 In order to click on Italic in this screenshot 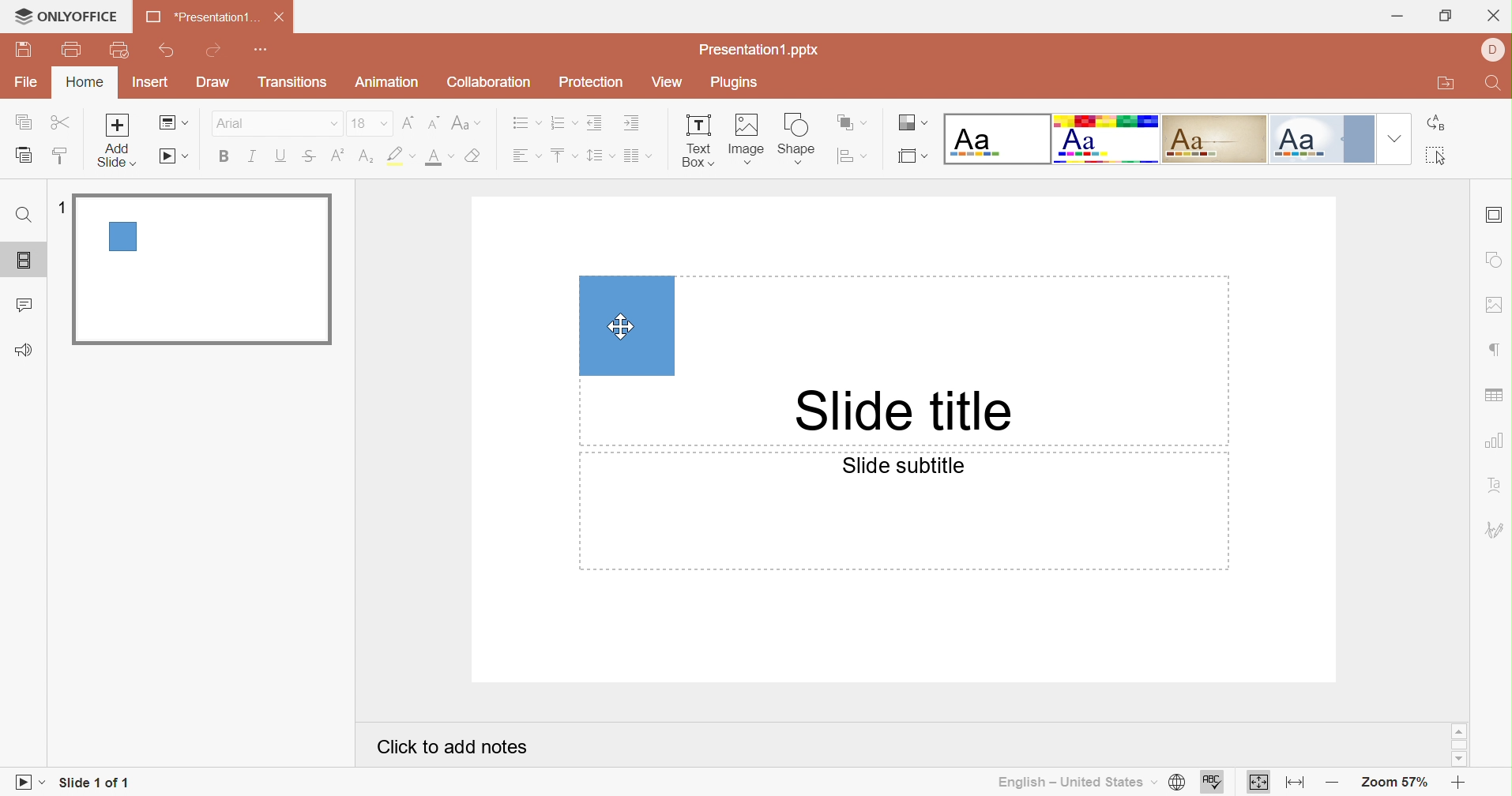, I will do `click(250, 157)`.